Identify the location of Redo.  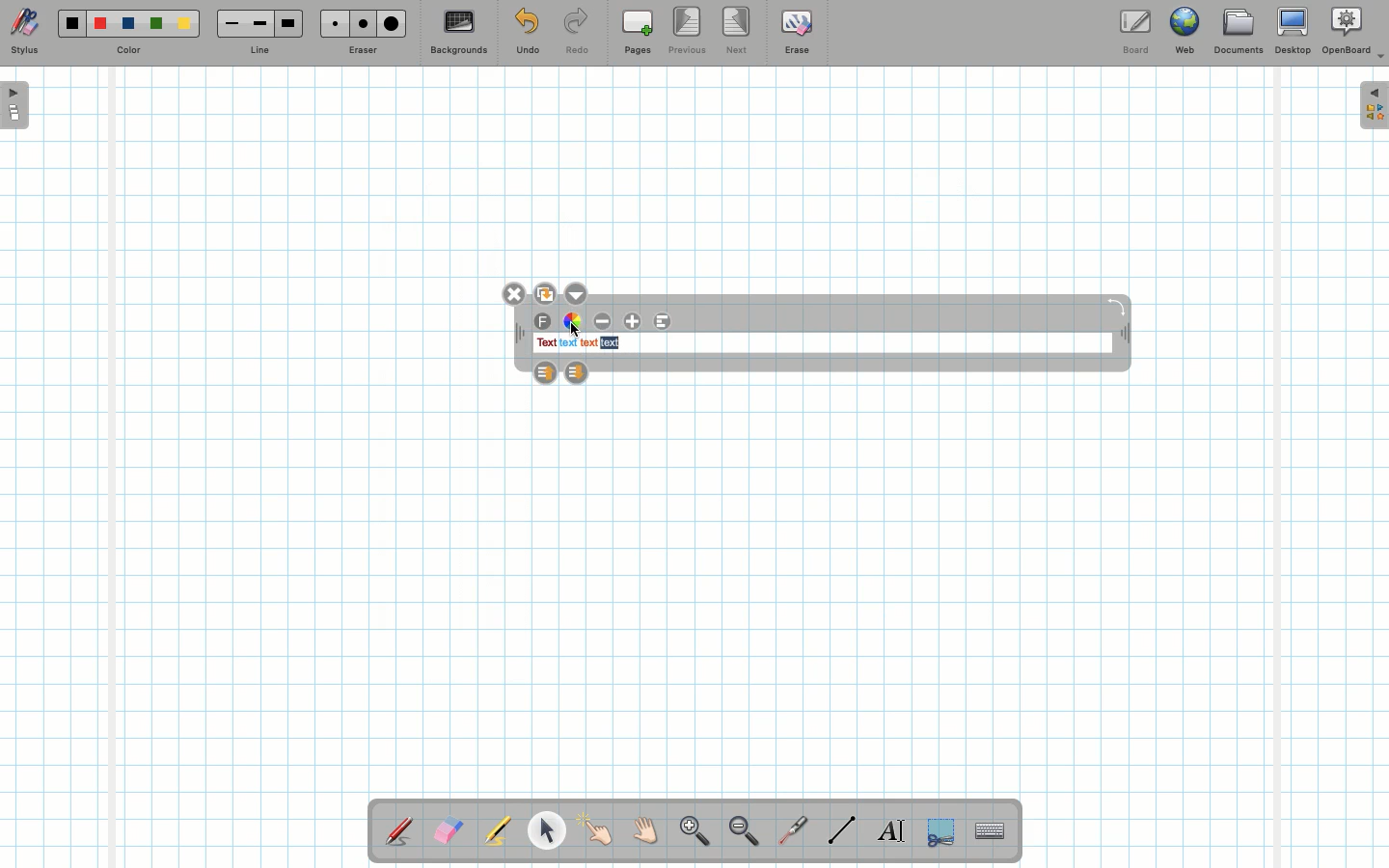
(577, 35).